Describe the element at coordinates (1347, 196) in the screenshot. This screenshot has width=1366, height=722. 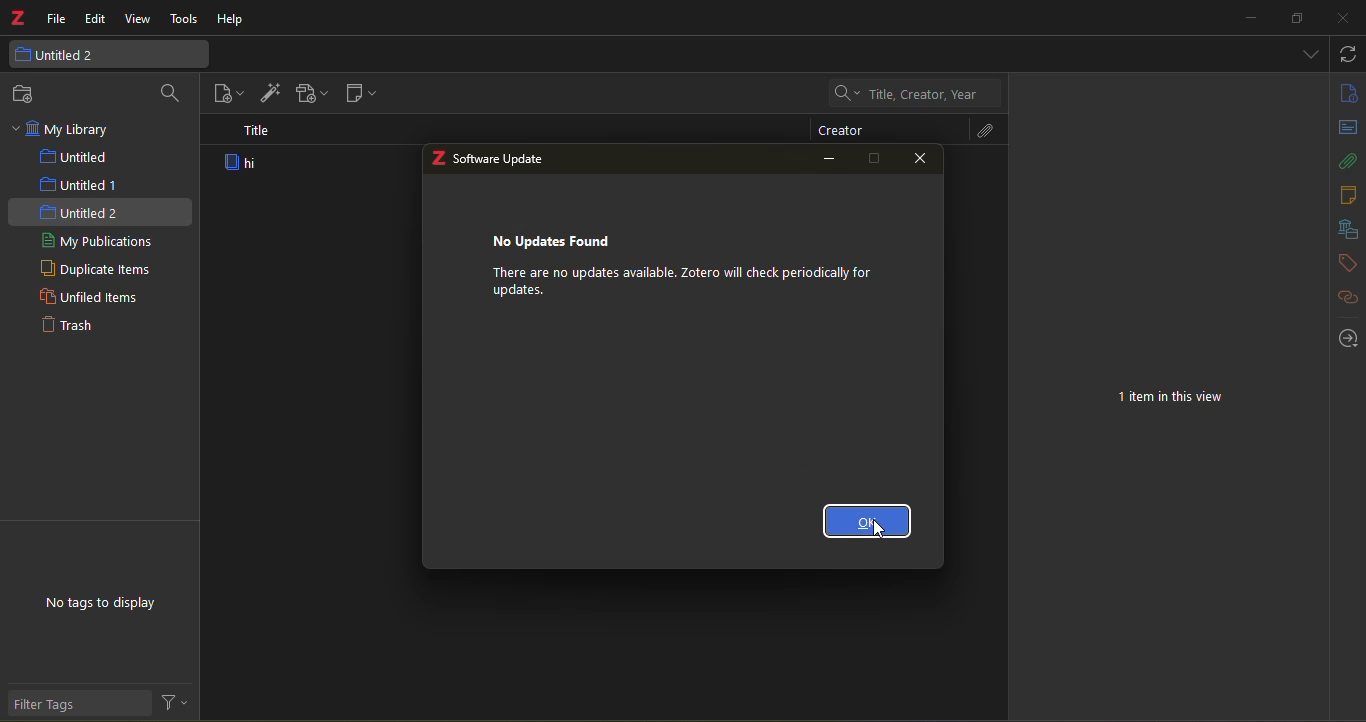
I see `notes` at that location.